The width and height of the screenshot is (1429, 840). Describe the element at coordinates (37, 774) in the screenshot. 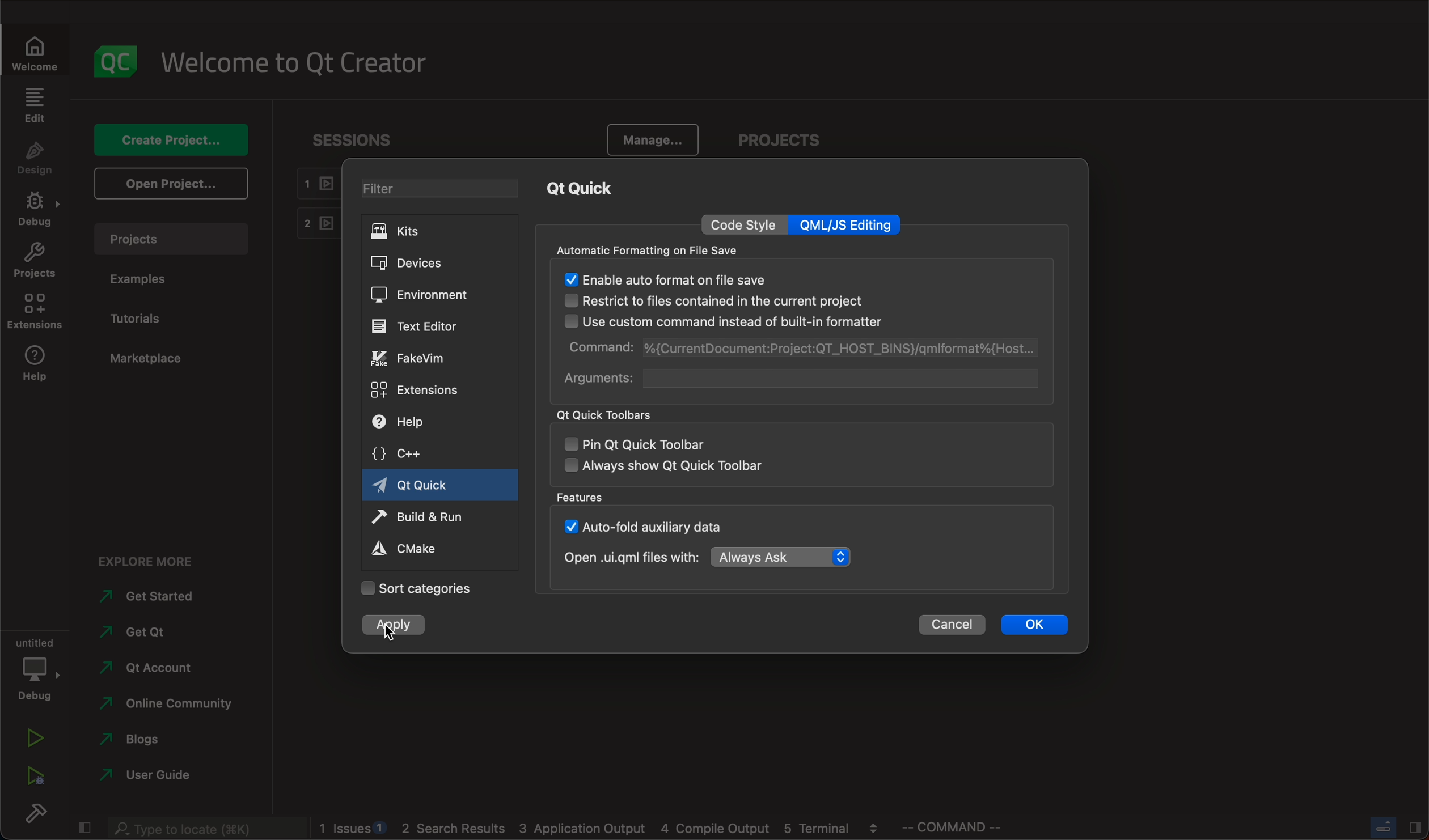

I see `run debug` at that location.